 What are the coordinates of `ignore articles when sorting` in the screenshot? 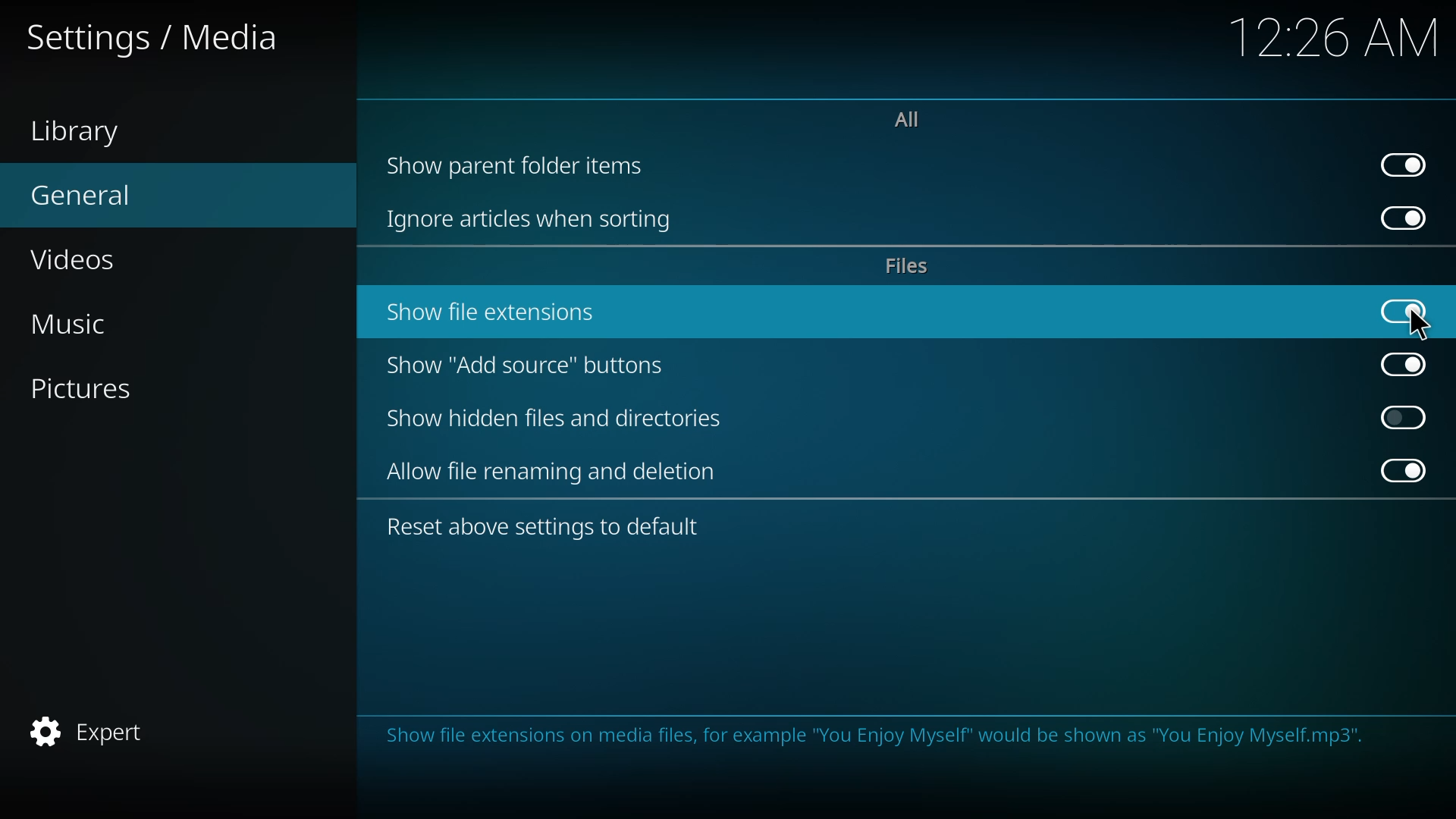 It's located at (535, 221).